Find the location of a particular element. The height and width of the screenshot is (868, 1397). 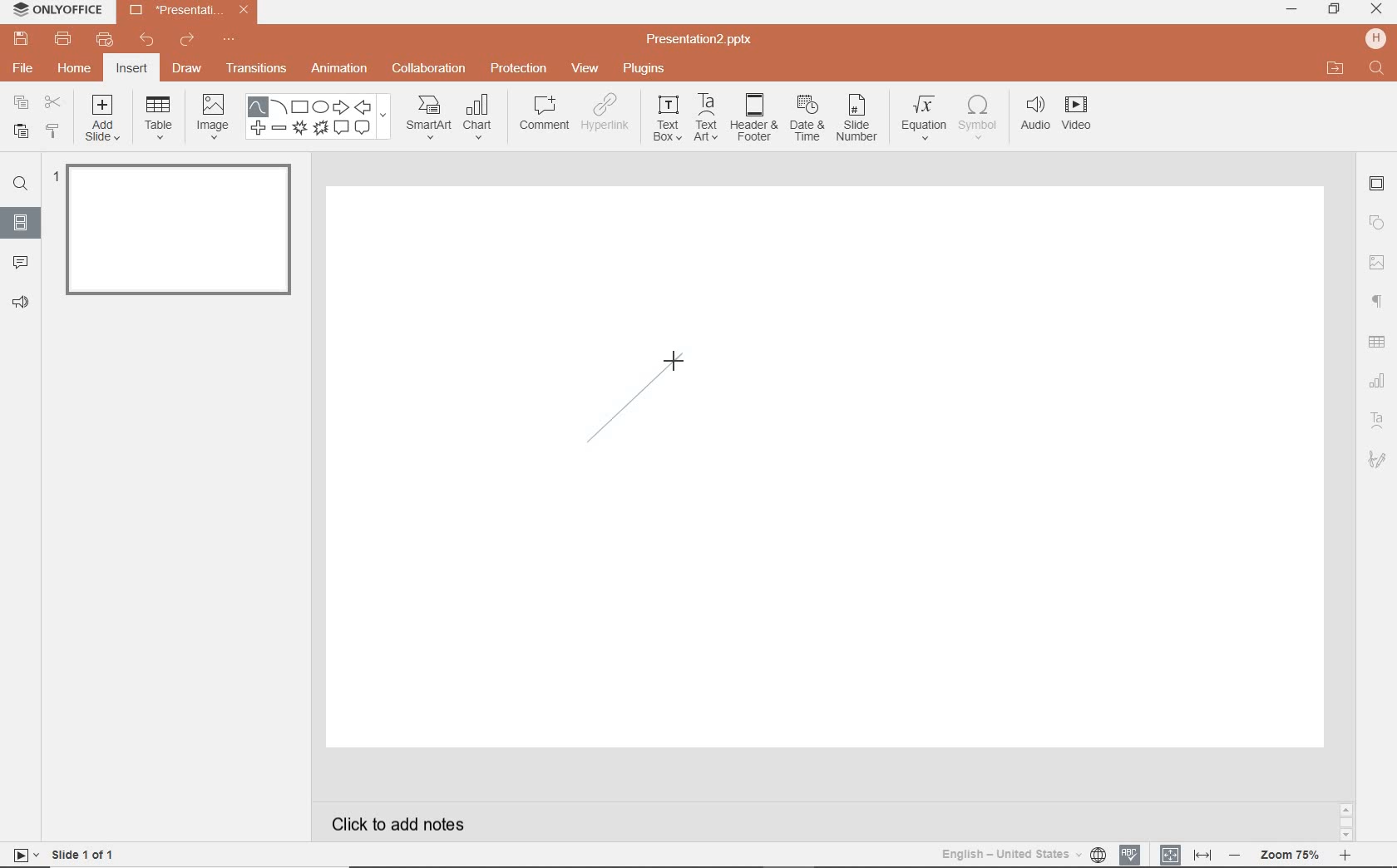

PASTE is located at coordinates (19, 131).